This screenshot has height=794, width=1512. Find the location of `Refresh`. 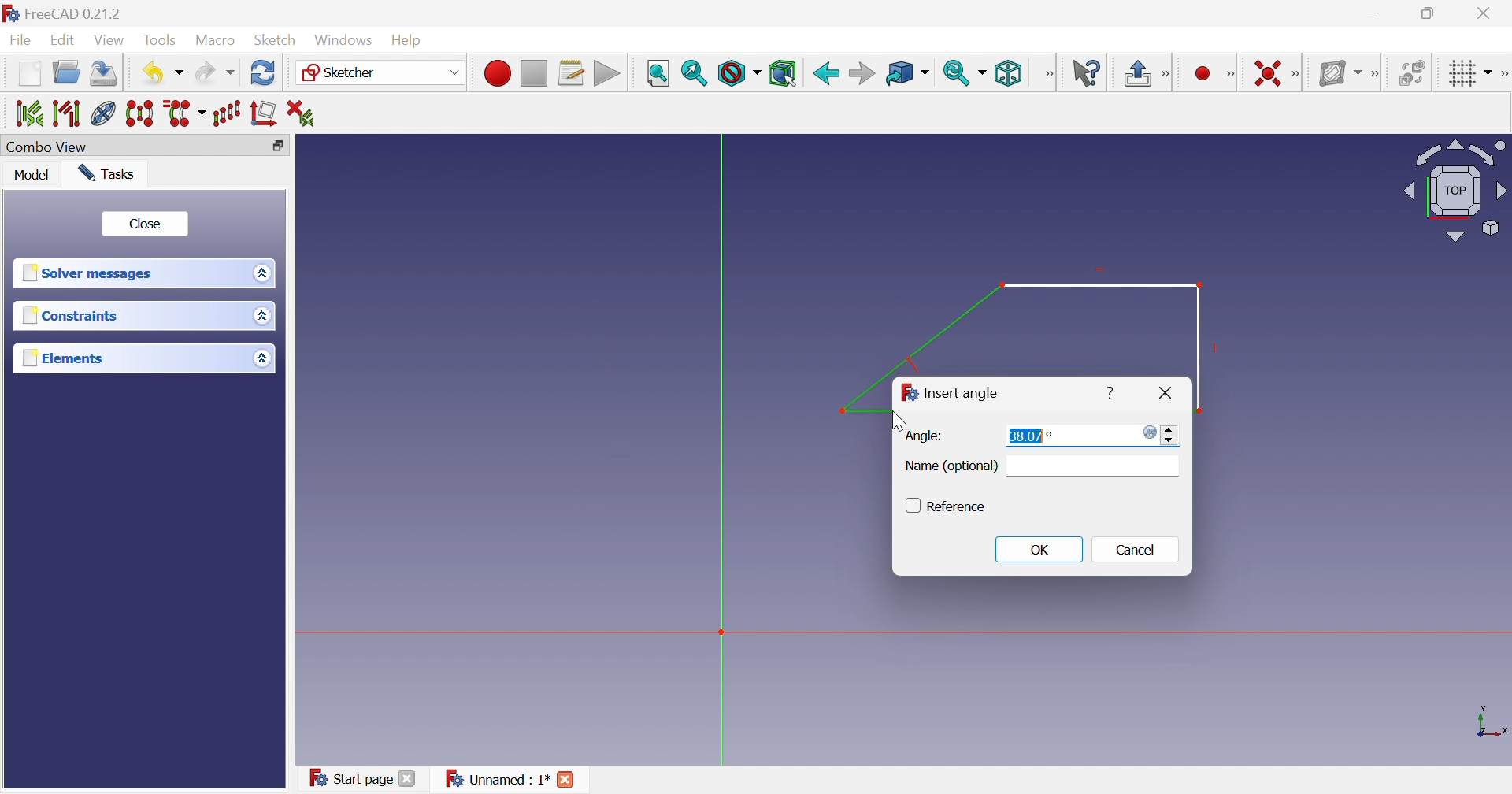

Refresh is located at coordinates (263, 75).